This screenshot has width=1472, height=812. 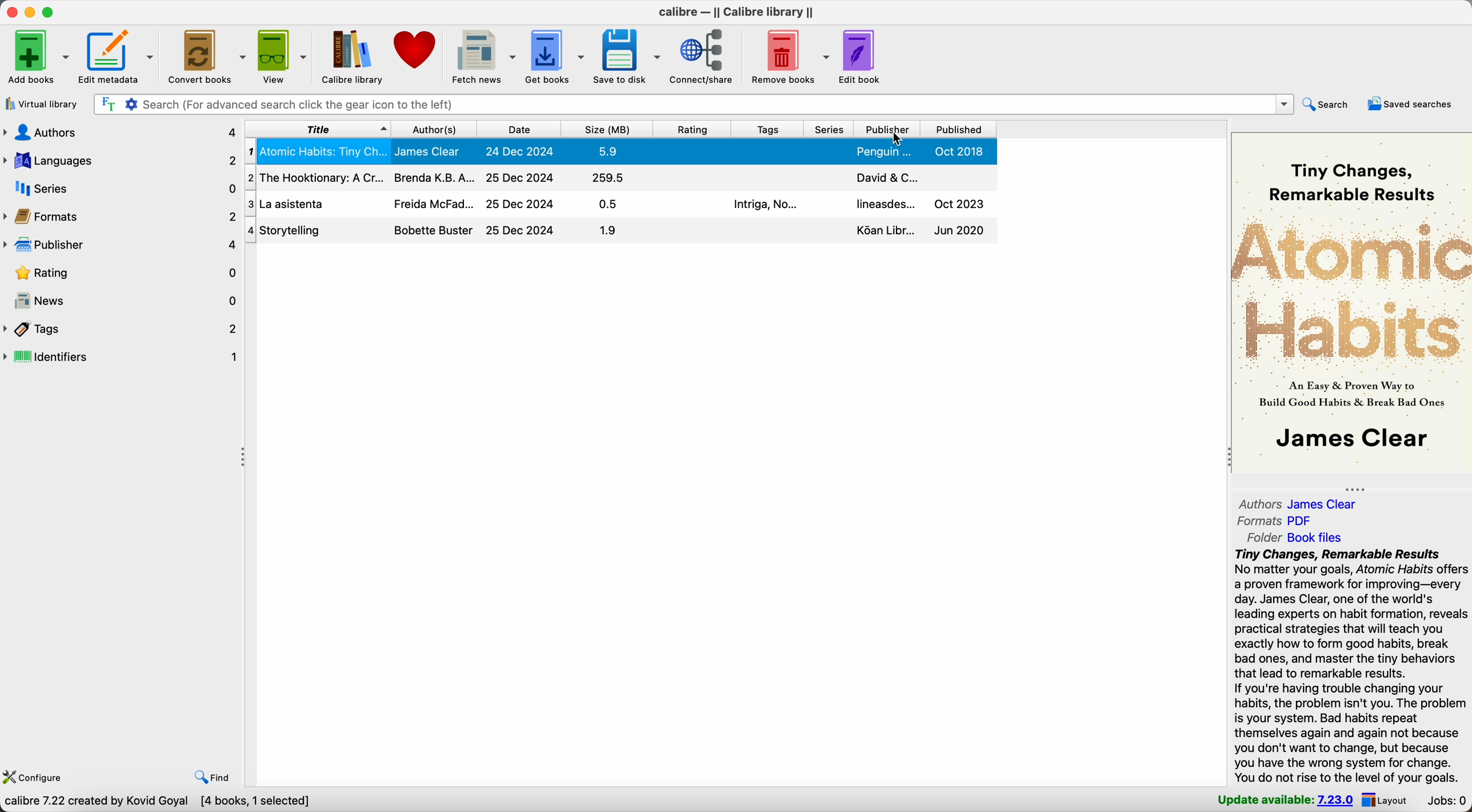 What do you see at coordinates (769, 129) in the screenshot?
I see `tags` at bounding box center [769, 129].